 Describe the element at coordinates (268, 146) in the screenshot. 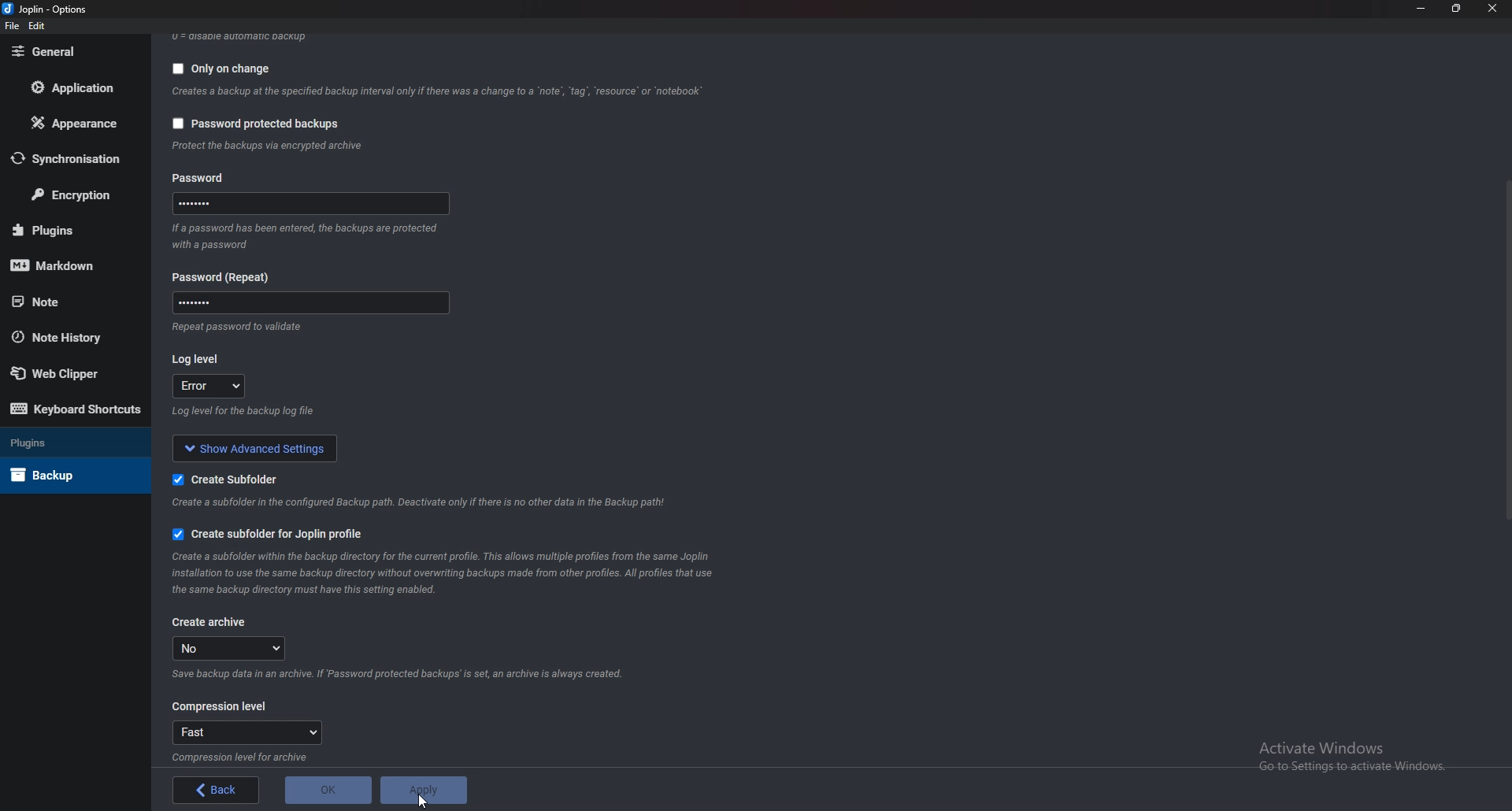

I see `info` at that location.